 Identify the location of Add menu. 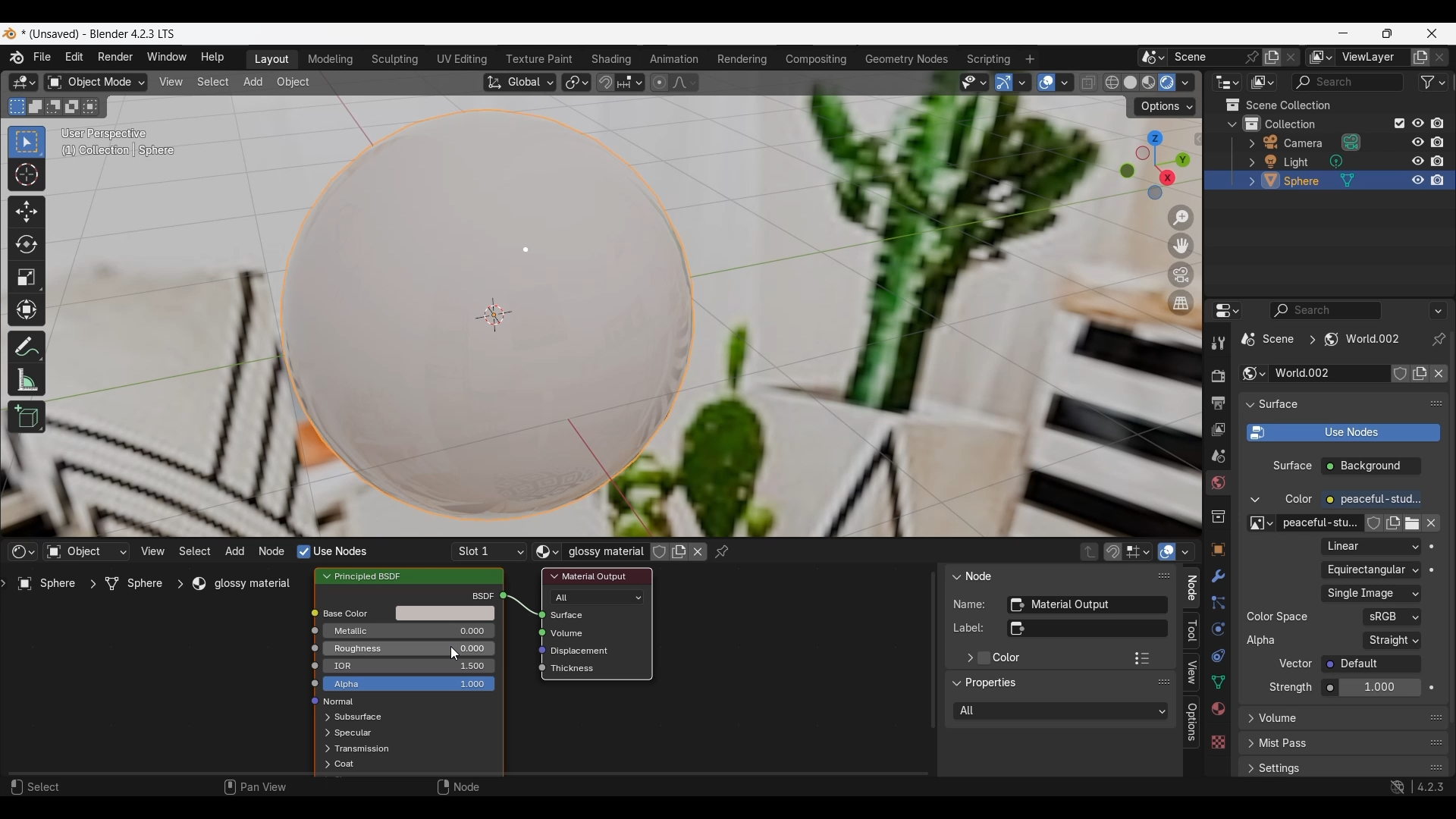
(234, 551).